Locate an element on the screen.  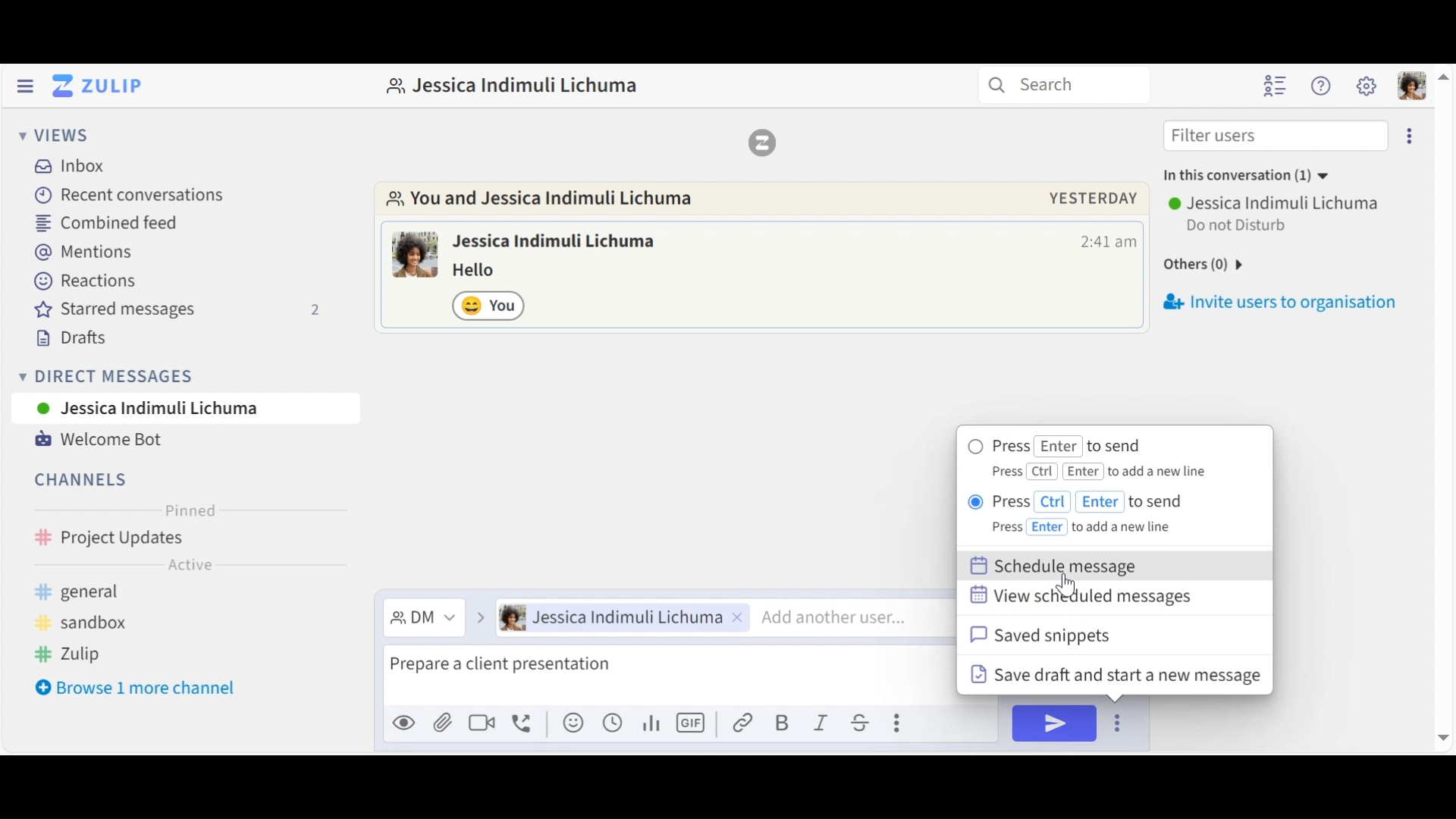
Add another user is located at coordinates (852, 617).